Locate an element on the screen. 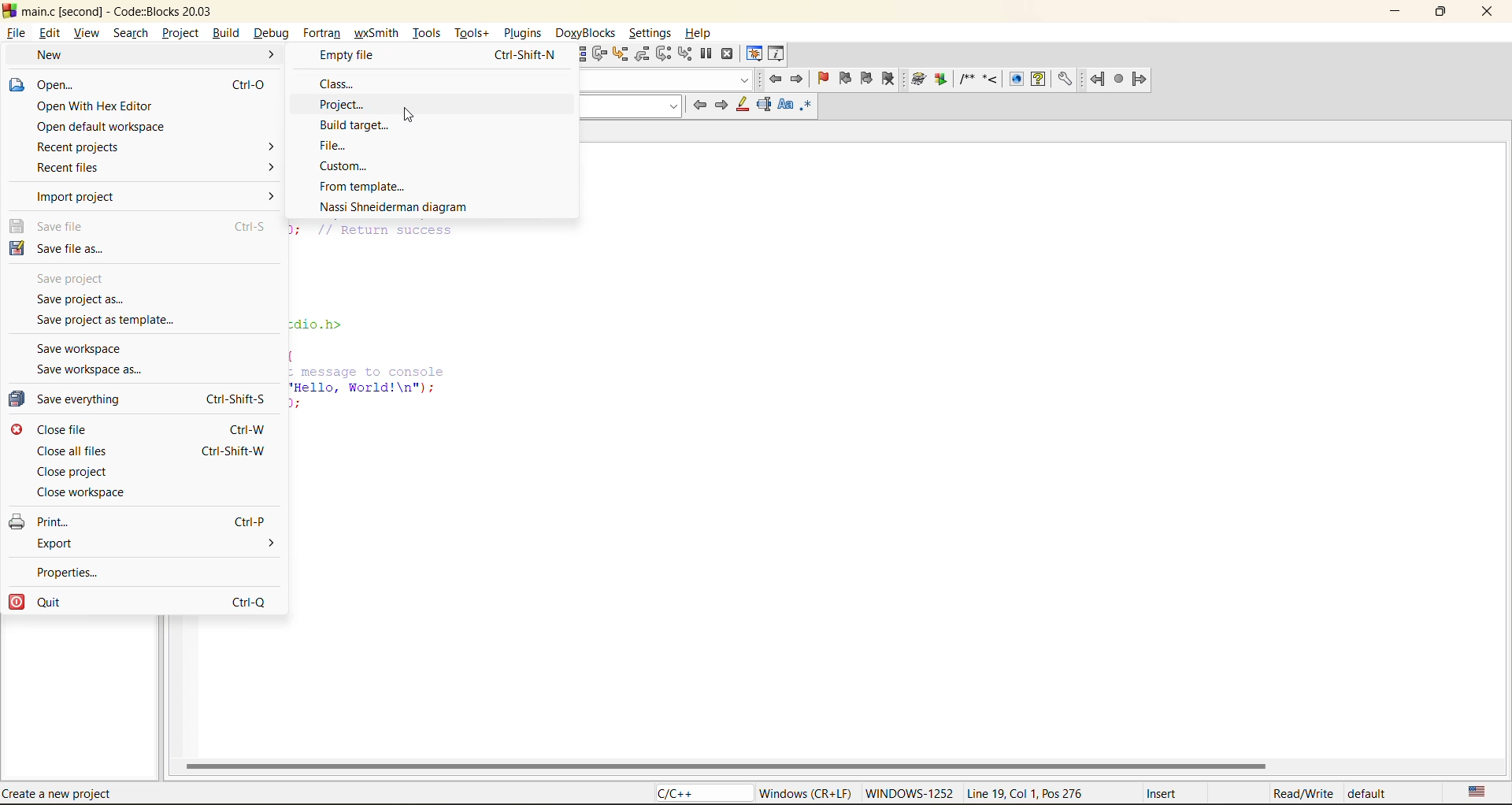  toggle bookmark is located at coordinates (823, 78).